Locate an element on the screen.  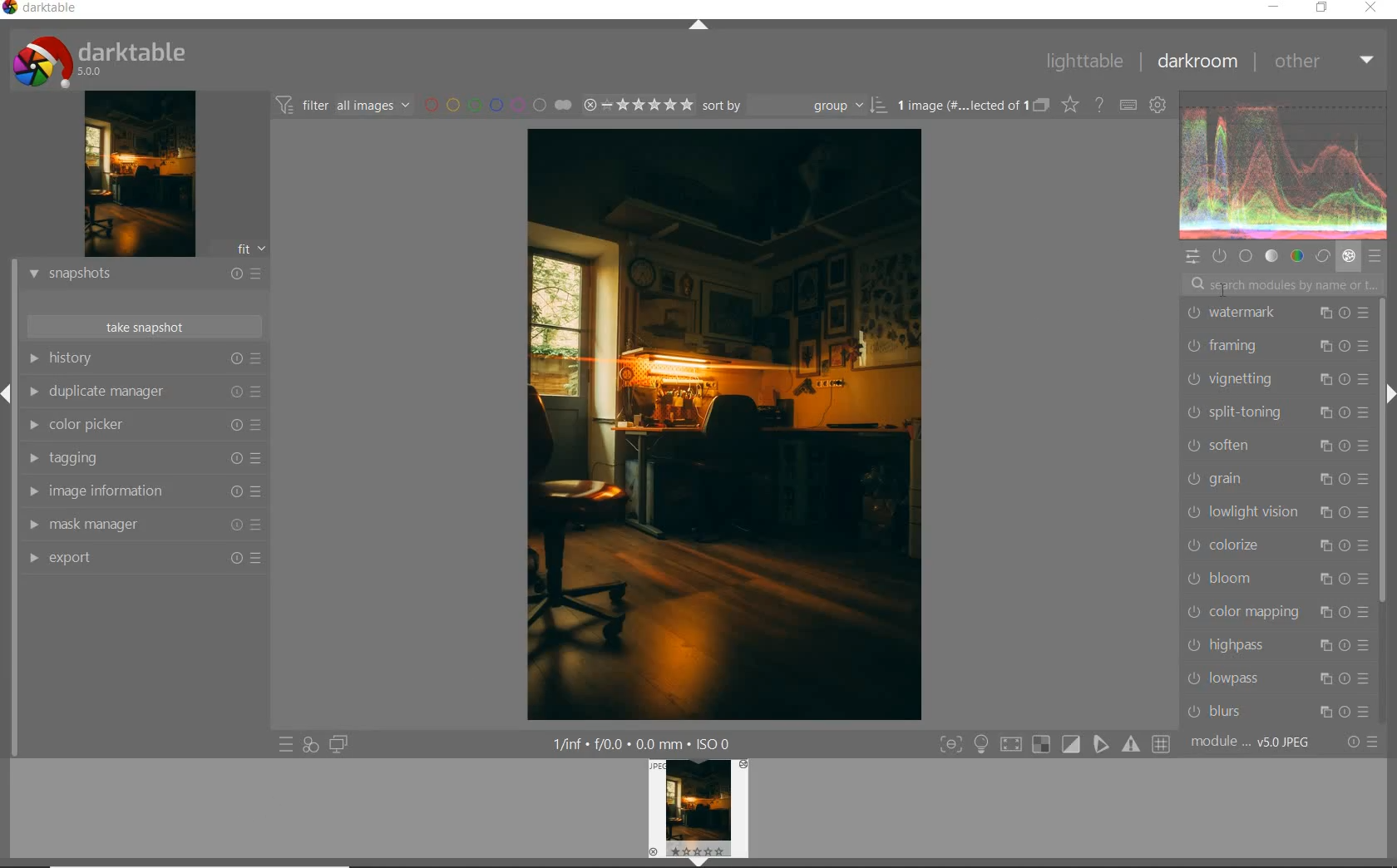
filter images based on their modules is located at coordinates (344, 106).